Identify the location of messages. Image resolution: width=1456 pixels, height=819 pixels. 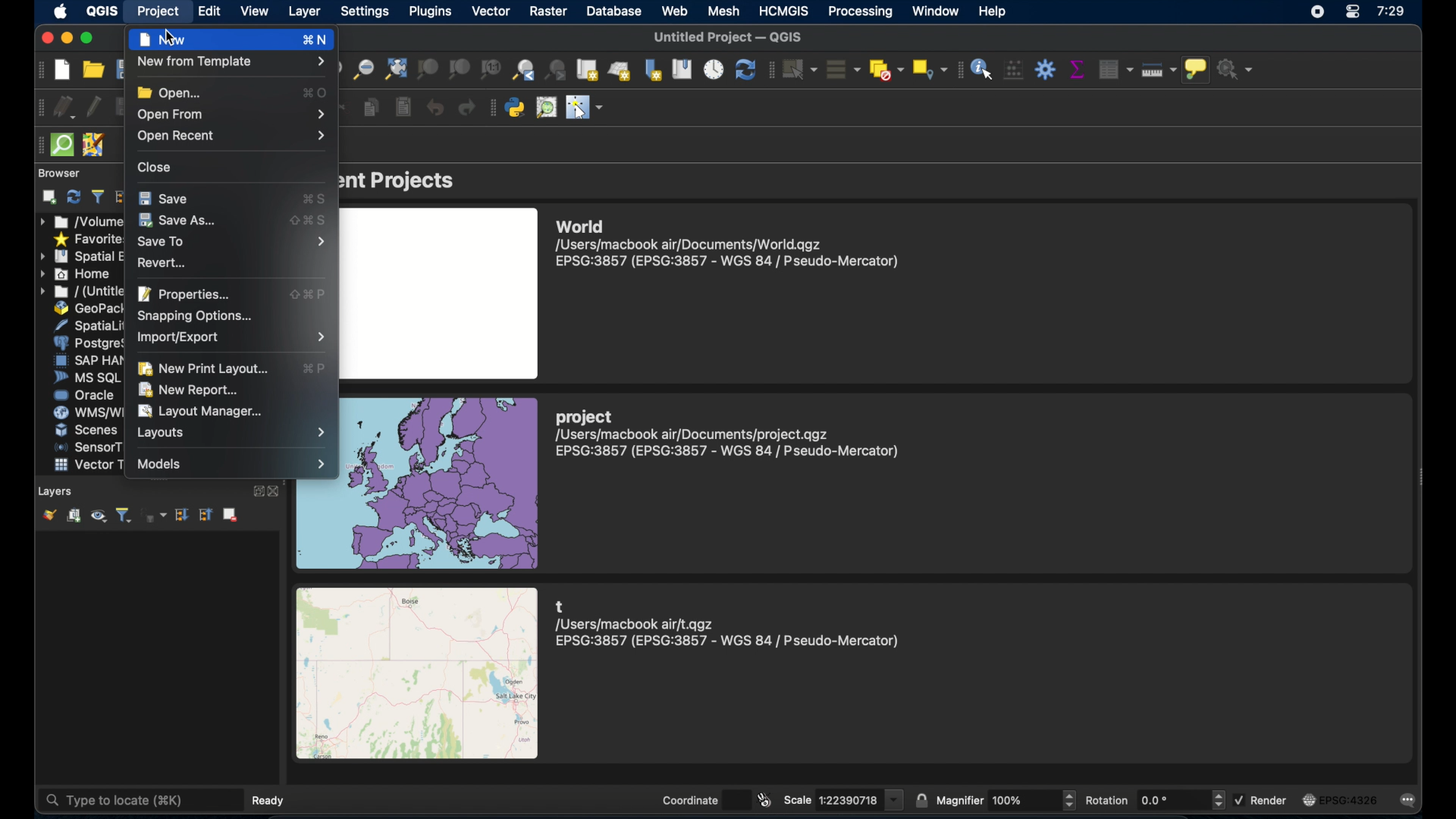
(1411, 802).